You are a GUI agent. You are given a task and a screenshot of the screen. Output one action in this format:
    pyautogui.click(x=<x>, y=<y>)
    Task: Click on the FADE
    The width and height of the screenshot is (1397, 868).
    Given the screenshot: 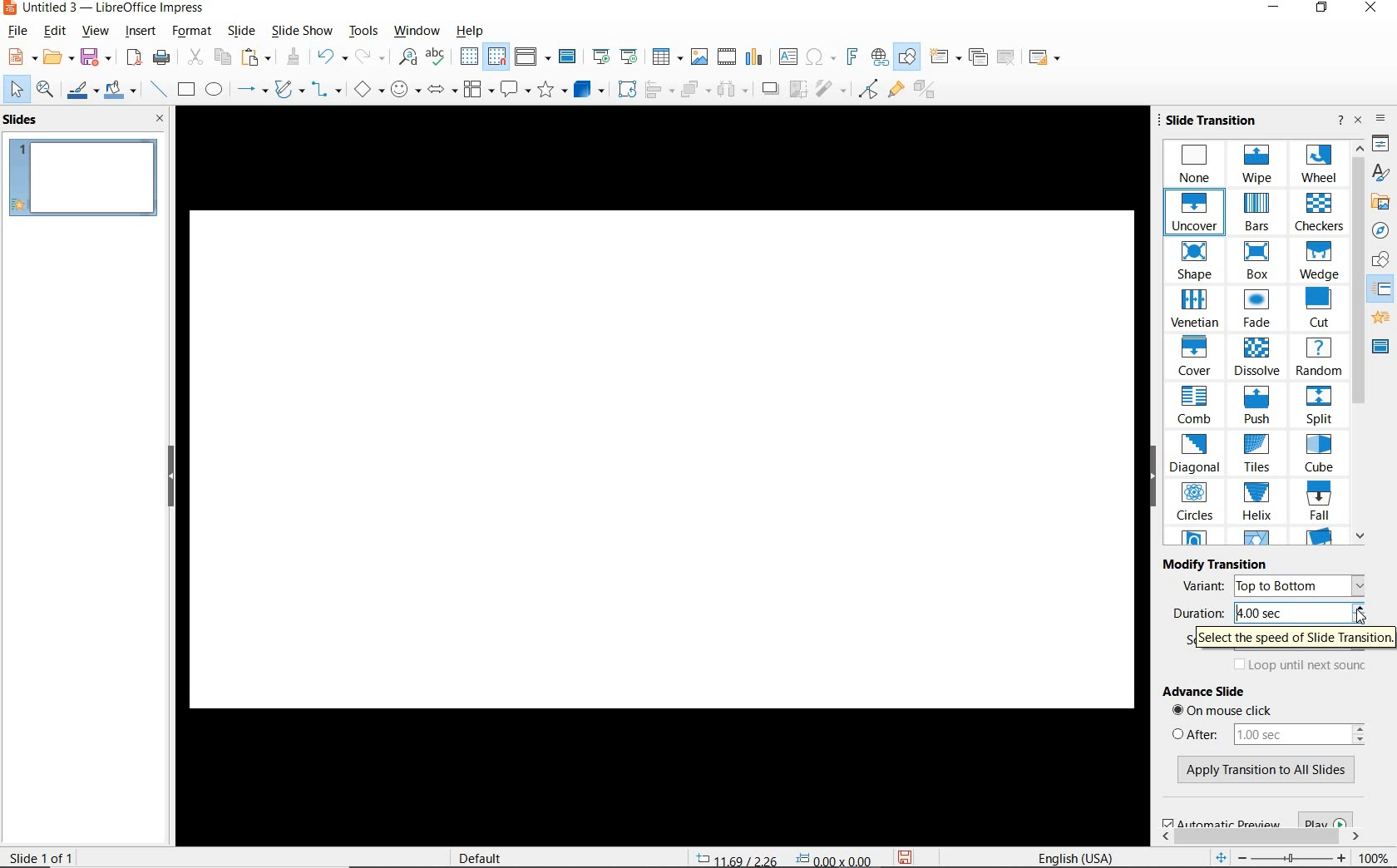 What is the action you would take?
    pyautogui.click(x=1256, y=310)
    